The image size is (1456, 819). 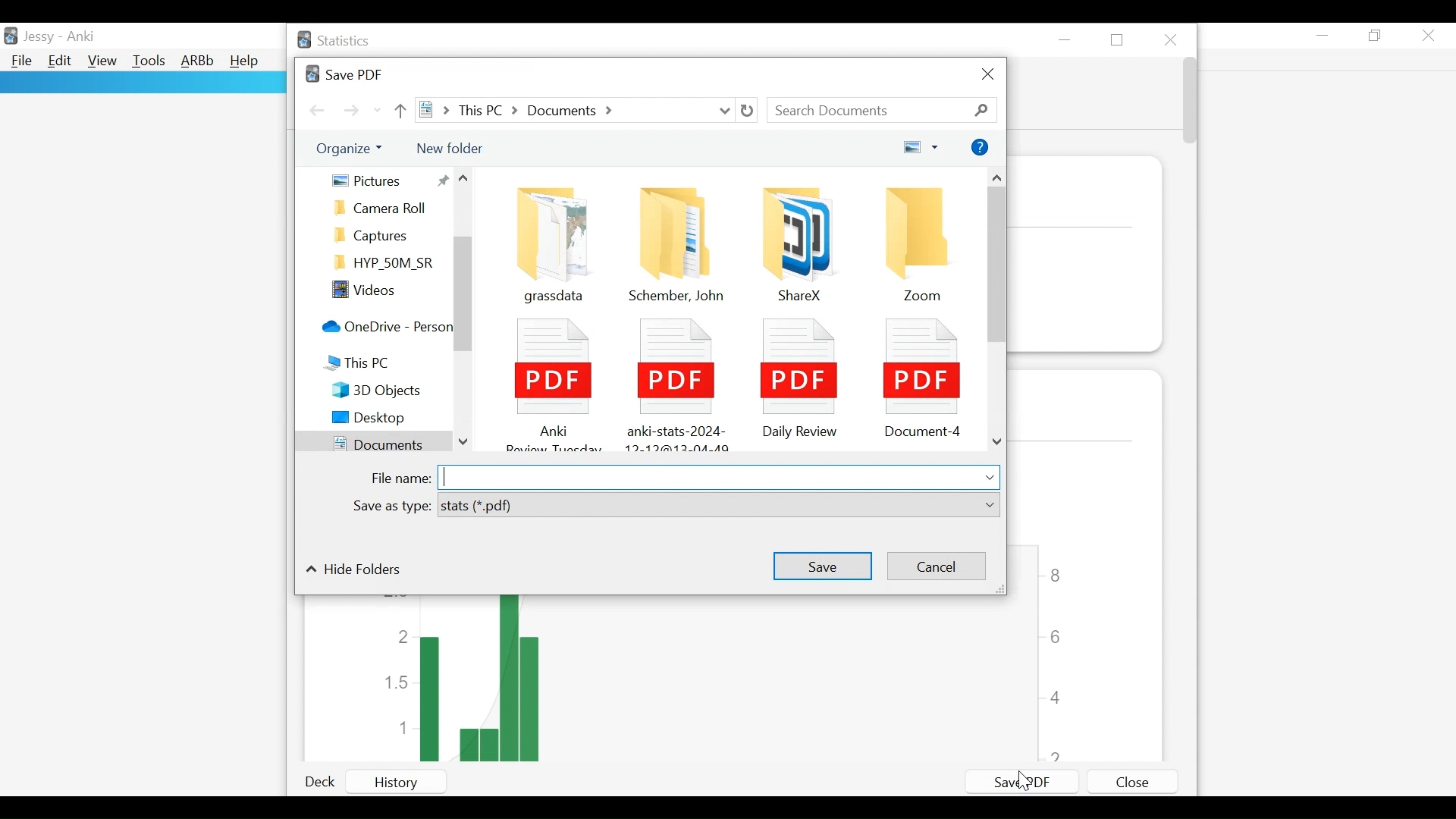 I want to click on Vertical Scroll bar, so click(x=1188, y=103).